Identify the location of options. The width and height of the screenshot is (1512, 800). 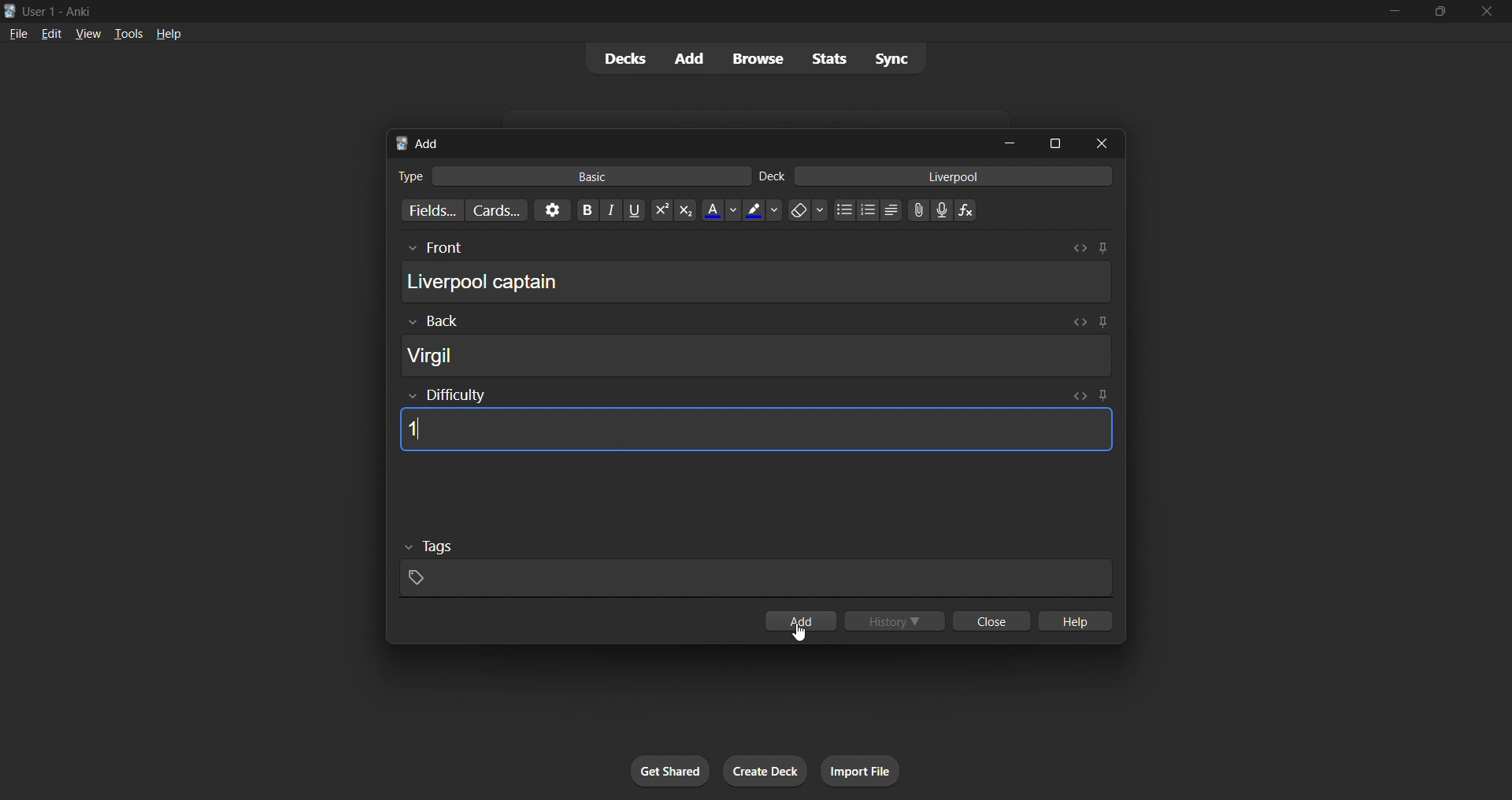
(552, 210).